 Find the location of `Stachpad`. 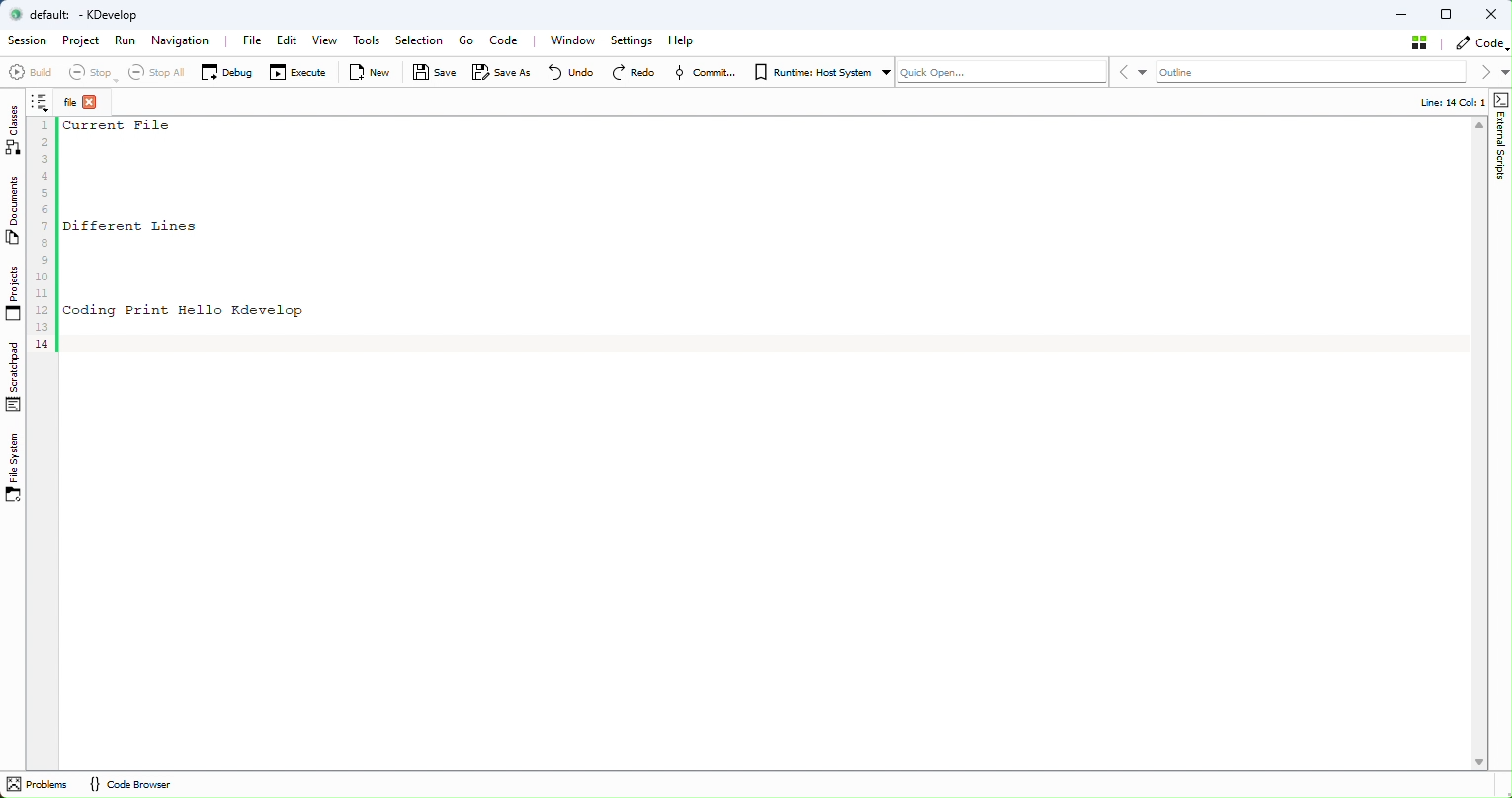

Stachpad is located at coordinates (15, 376).